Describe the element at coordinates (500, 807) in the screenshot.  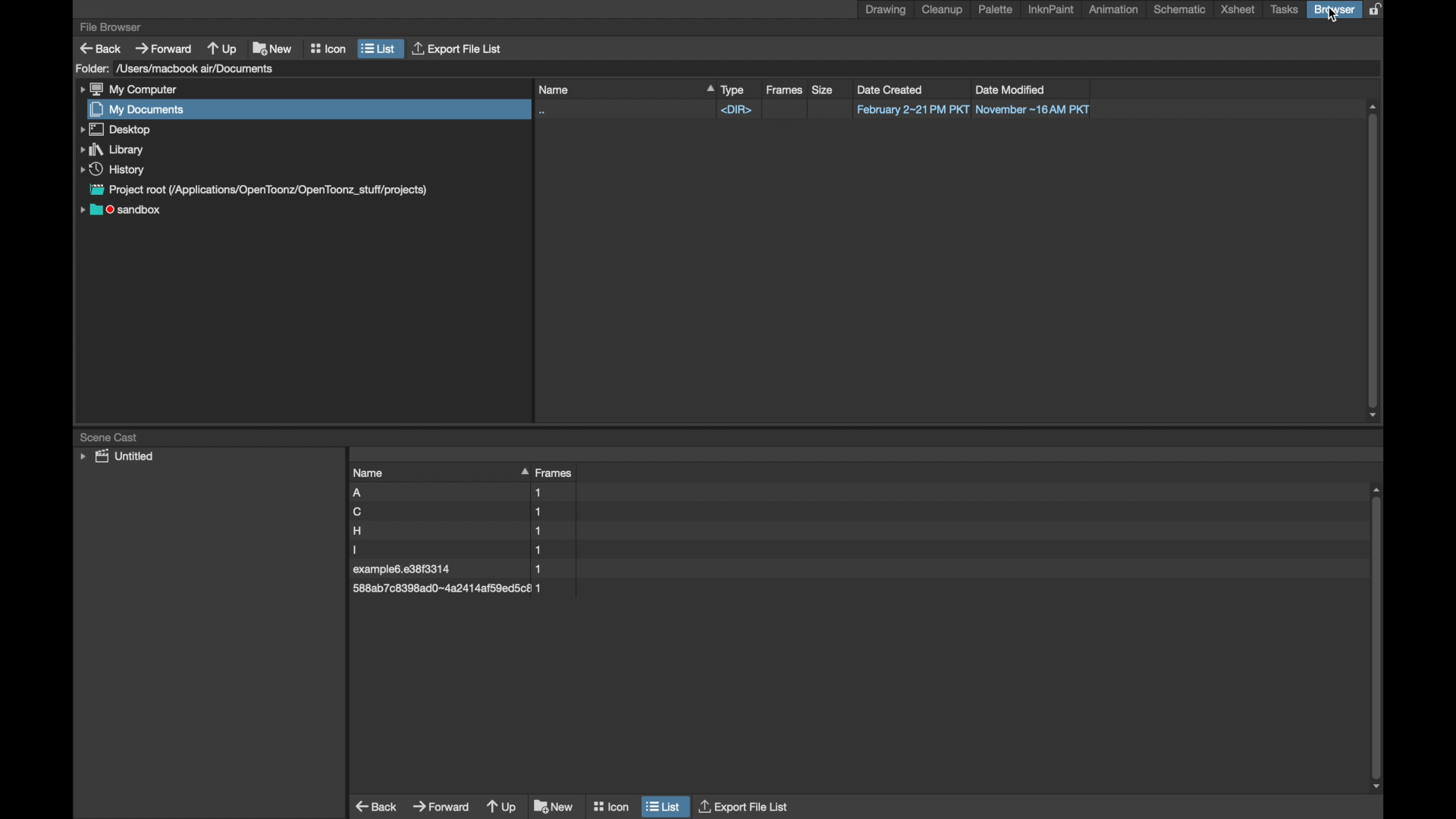
I see `up` at that location.